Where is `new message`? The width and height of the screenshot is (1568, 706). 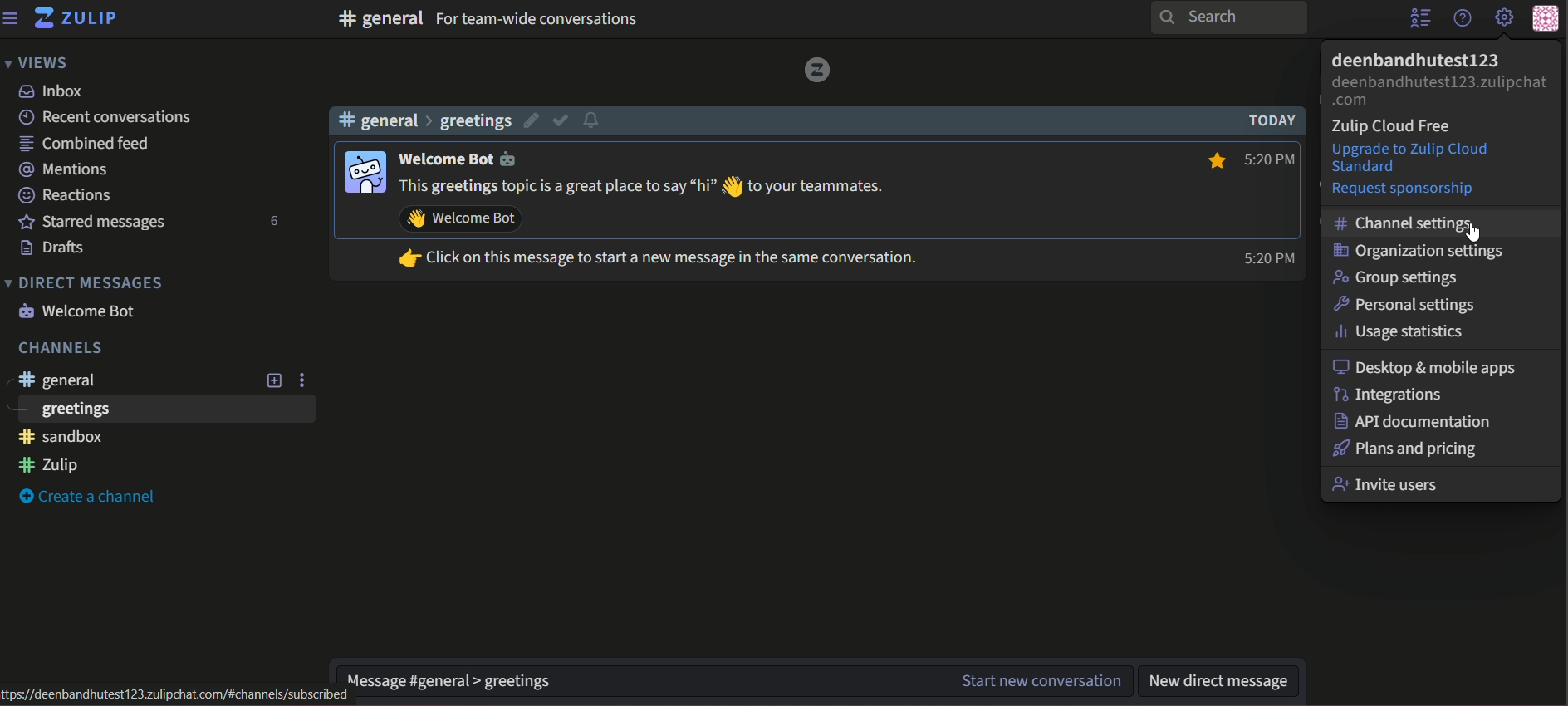 new message is located at coordinates (1223, 681).